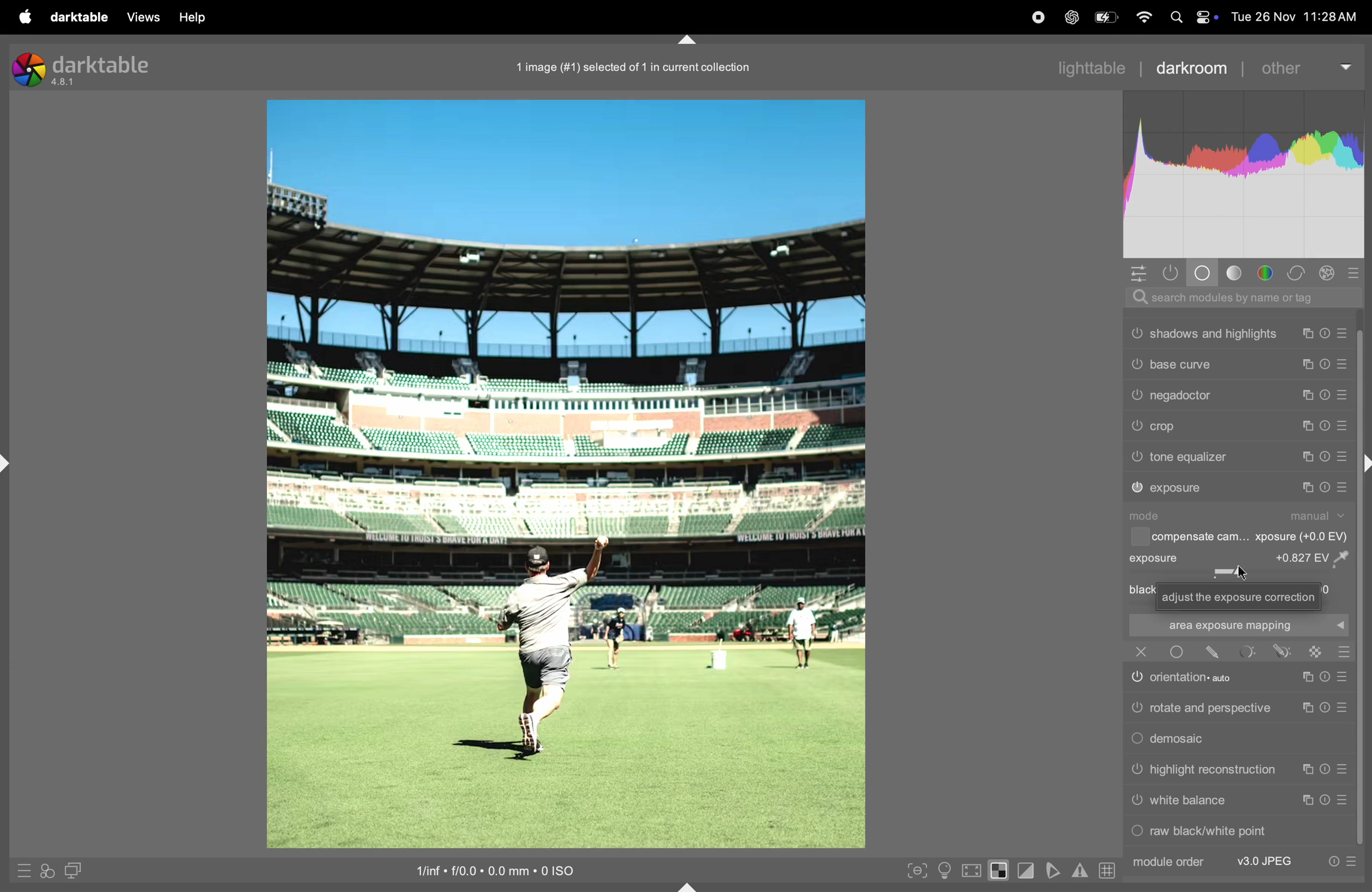  Describe the element at coordinates (1325, 366) in the screenshot. I see `reset presets` at that location.